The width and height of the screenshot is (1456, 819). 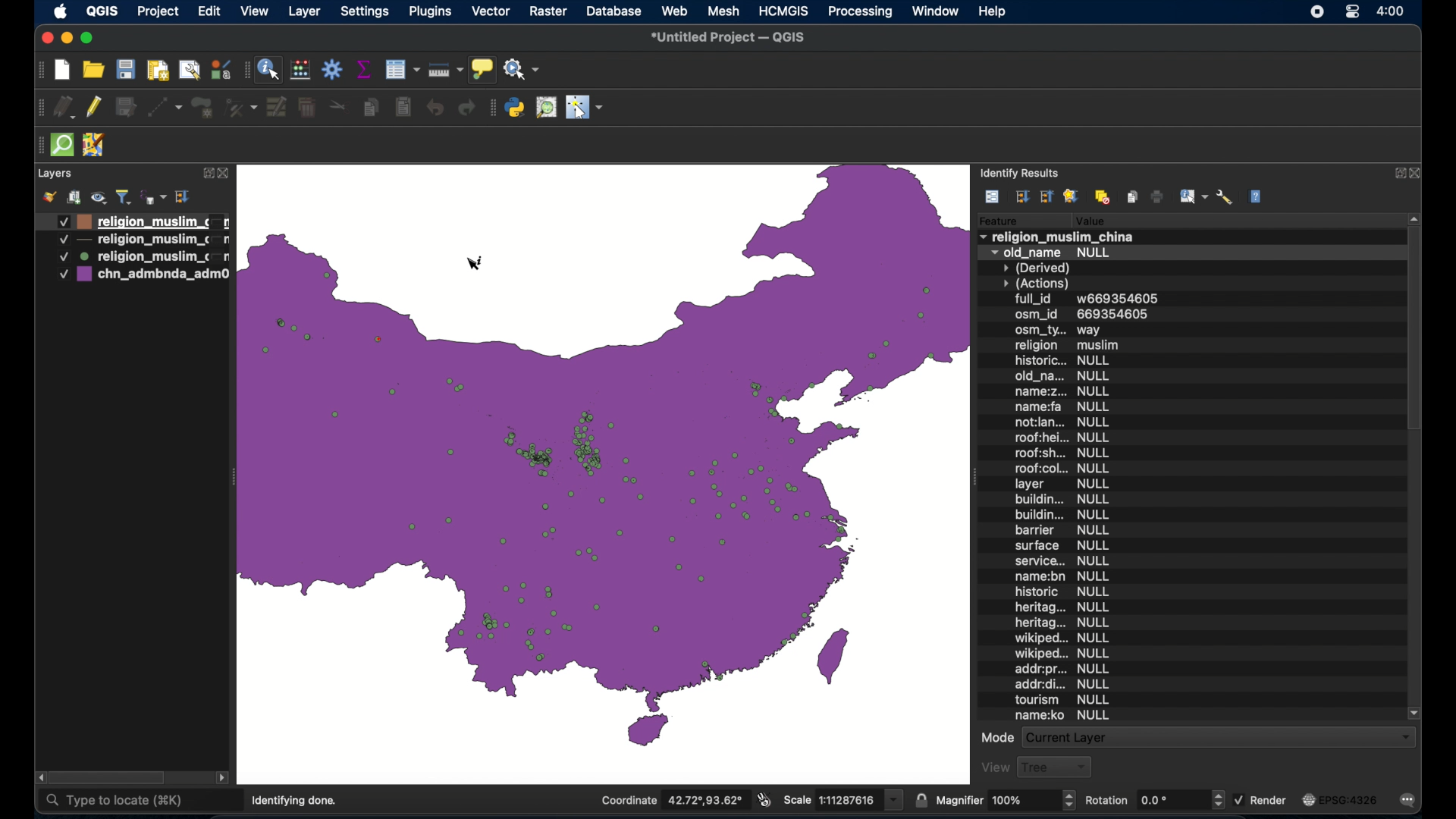 I want to click on filter  legend, so click(x=125, y=195).